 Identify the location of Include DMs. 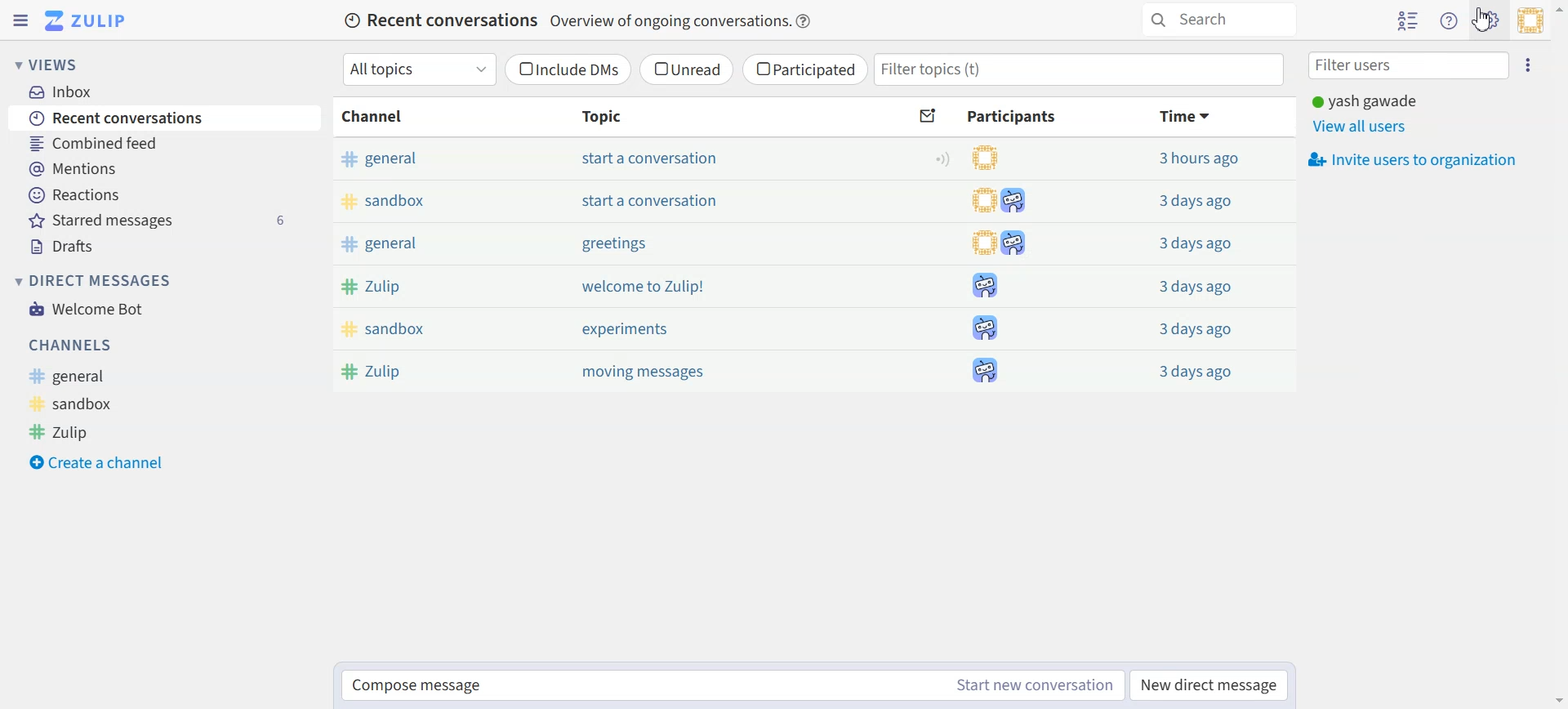
(568, 69).